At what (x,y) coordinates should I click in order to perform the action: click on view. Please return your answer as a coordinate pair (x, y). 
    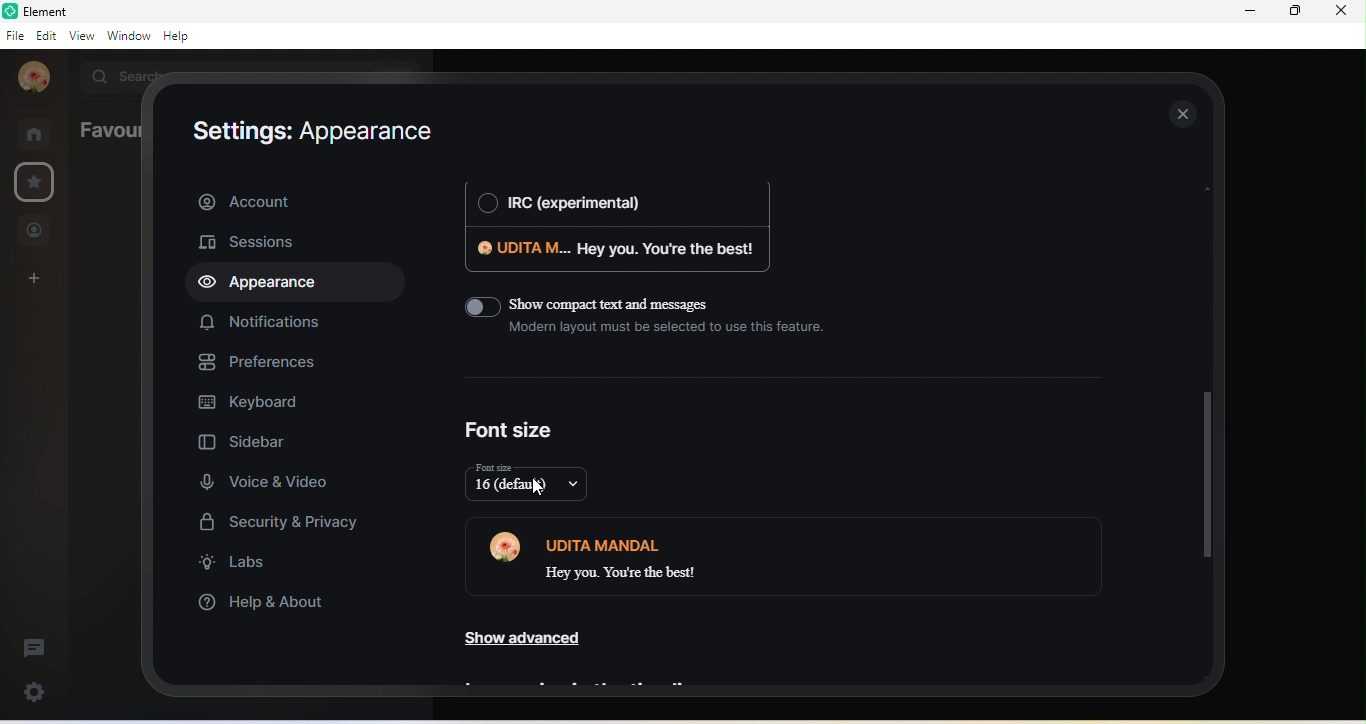
    Looking at the image, I should click on (80, 36).